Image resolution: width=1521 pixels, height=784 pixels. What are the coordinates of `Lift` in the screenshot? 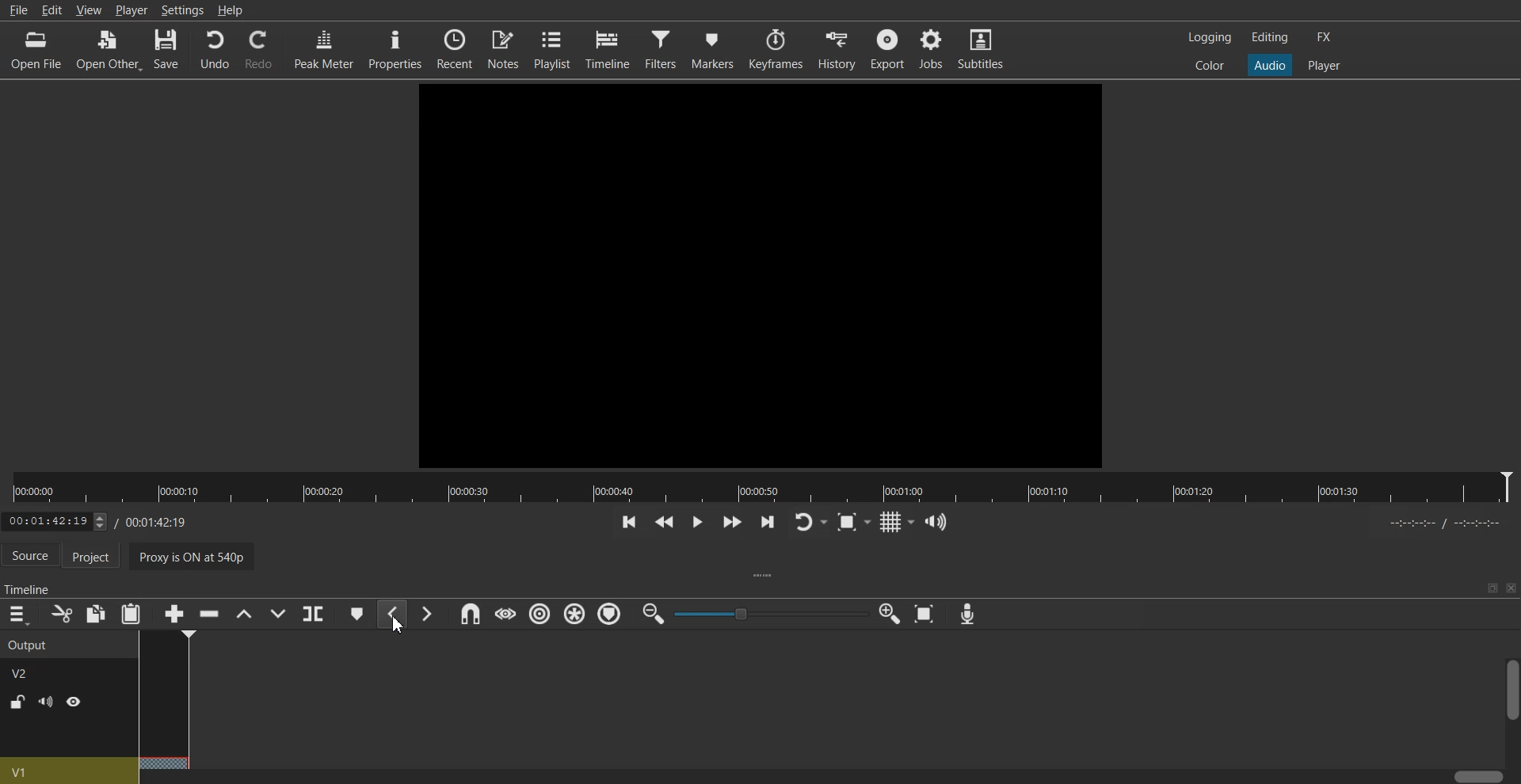 It's located at (243, 614).